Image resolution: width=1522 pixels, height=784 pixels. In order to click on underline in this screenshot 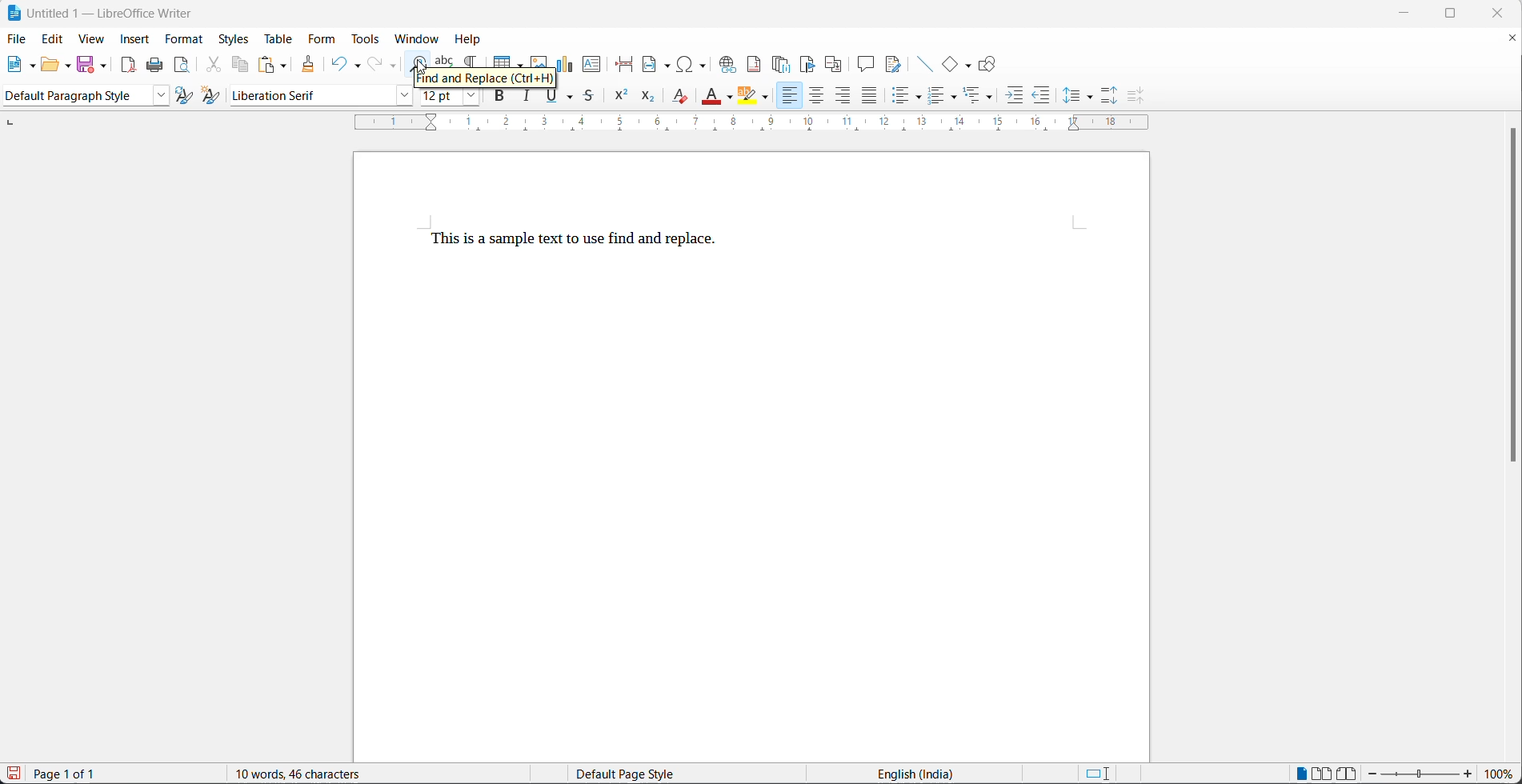, I will do `click(551, 98)`.